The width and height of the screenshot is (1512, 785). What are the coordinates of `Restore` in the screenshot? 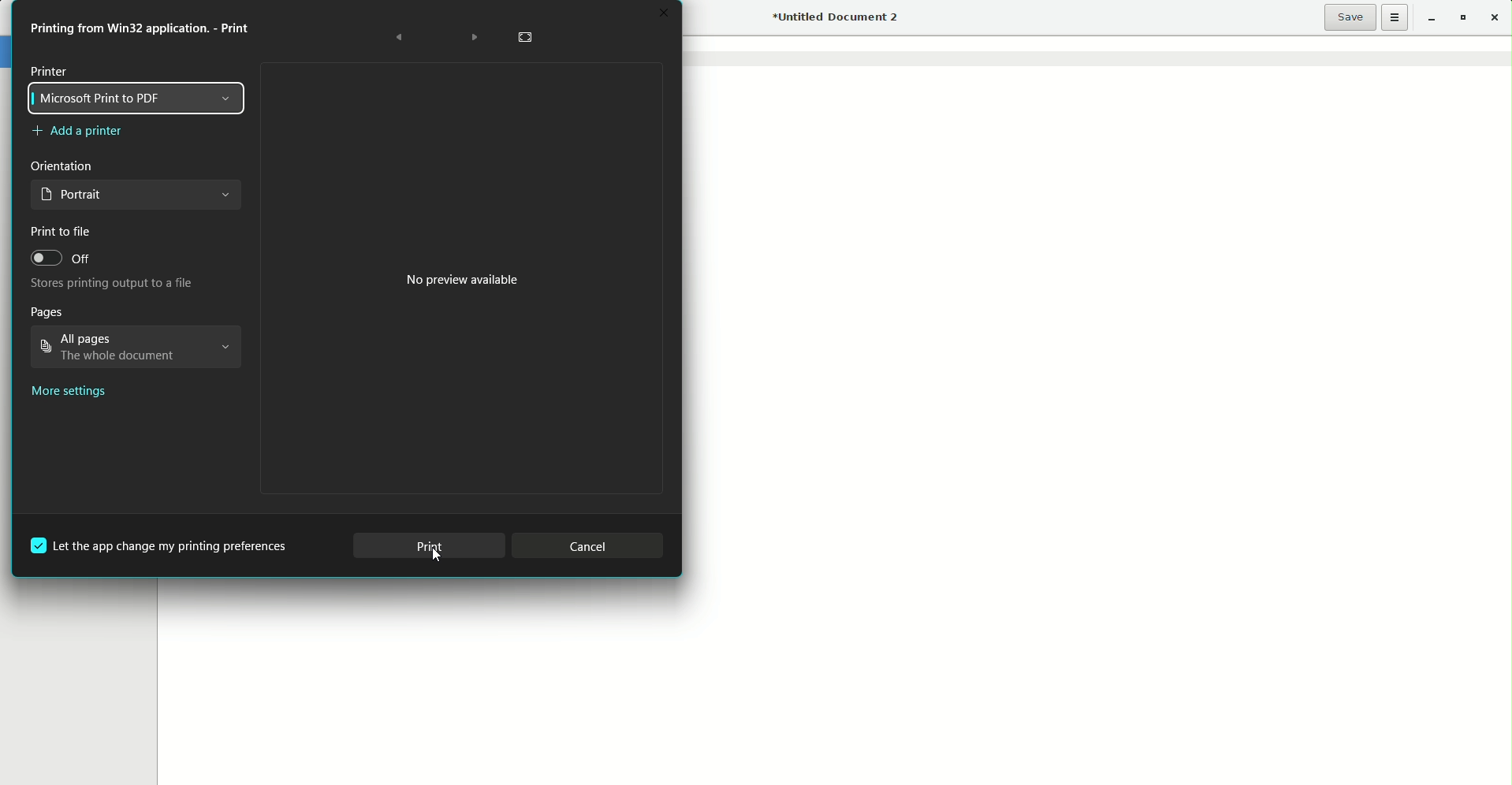 It's located at (1462, 18).